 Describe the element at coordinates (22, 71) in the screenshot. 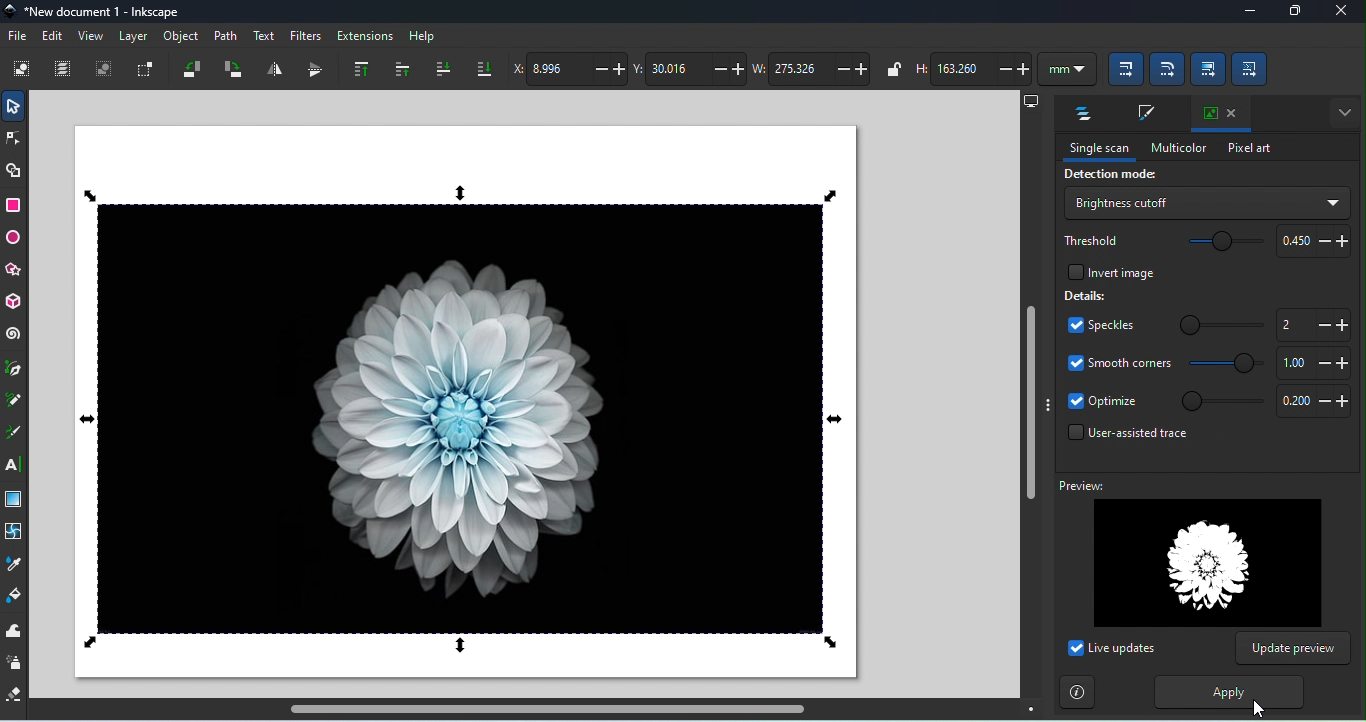

I see `Select all objects` at that location.